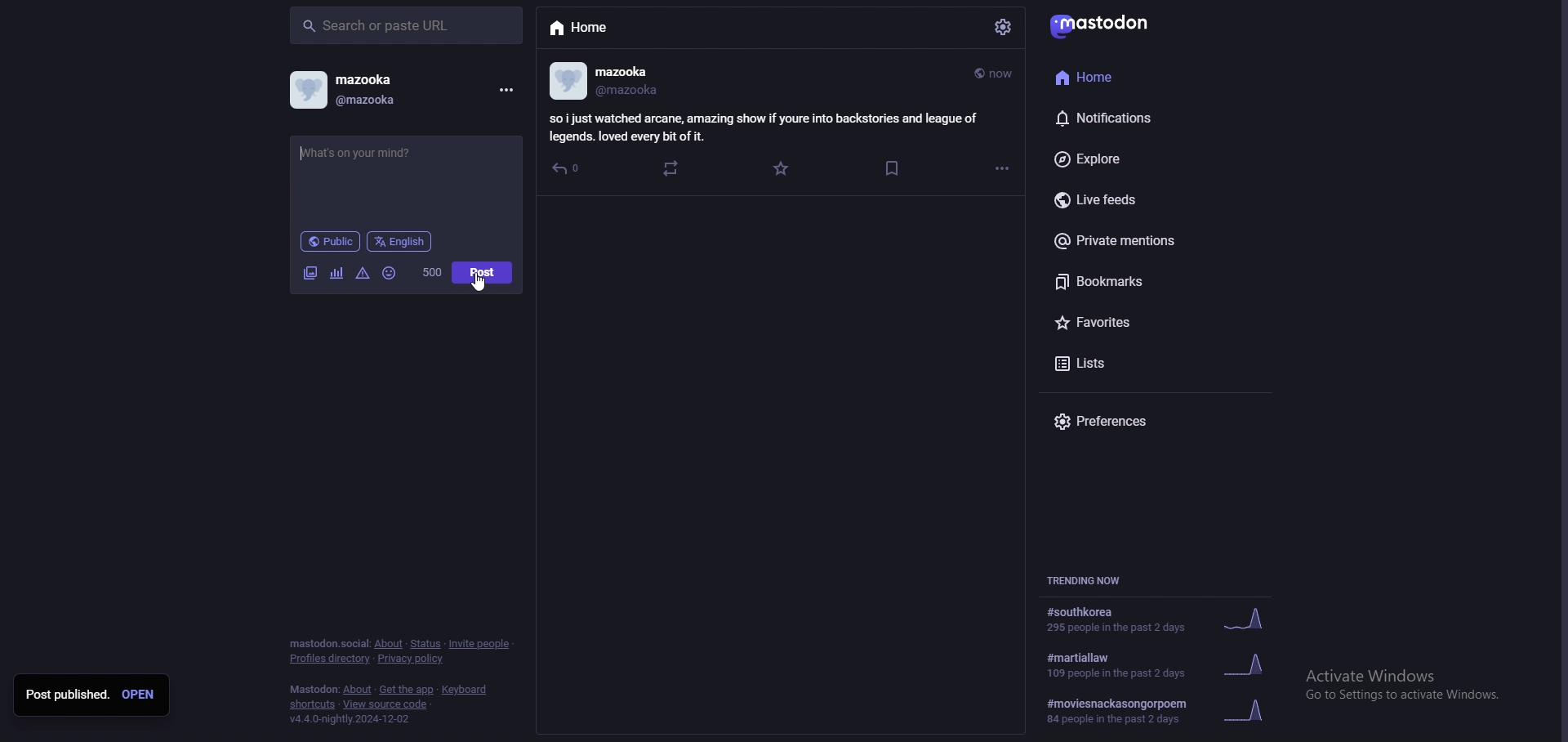 Image resolution: width=1568 pixels, height=742 pixels. I want to click on lists, so click(1133, 364).